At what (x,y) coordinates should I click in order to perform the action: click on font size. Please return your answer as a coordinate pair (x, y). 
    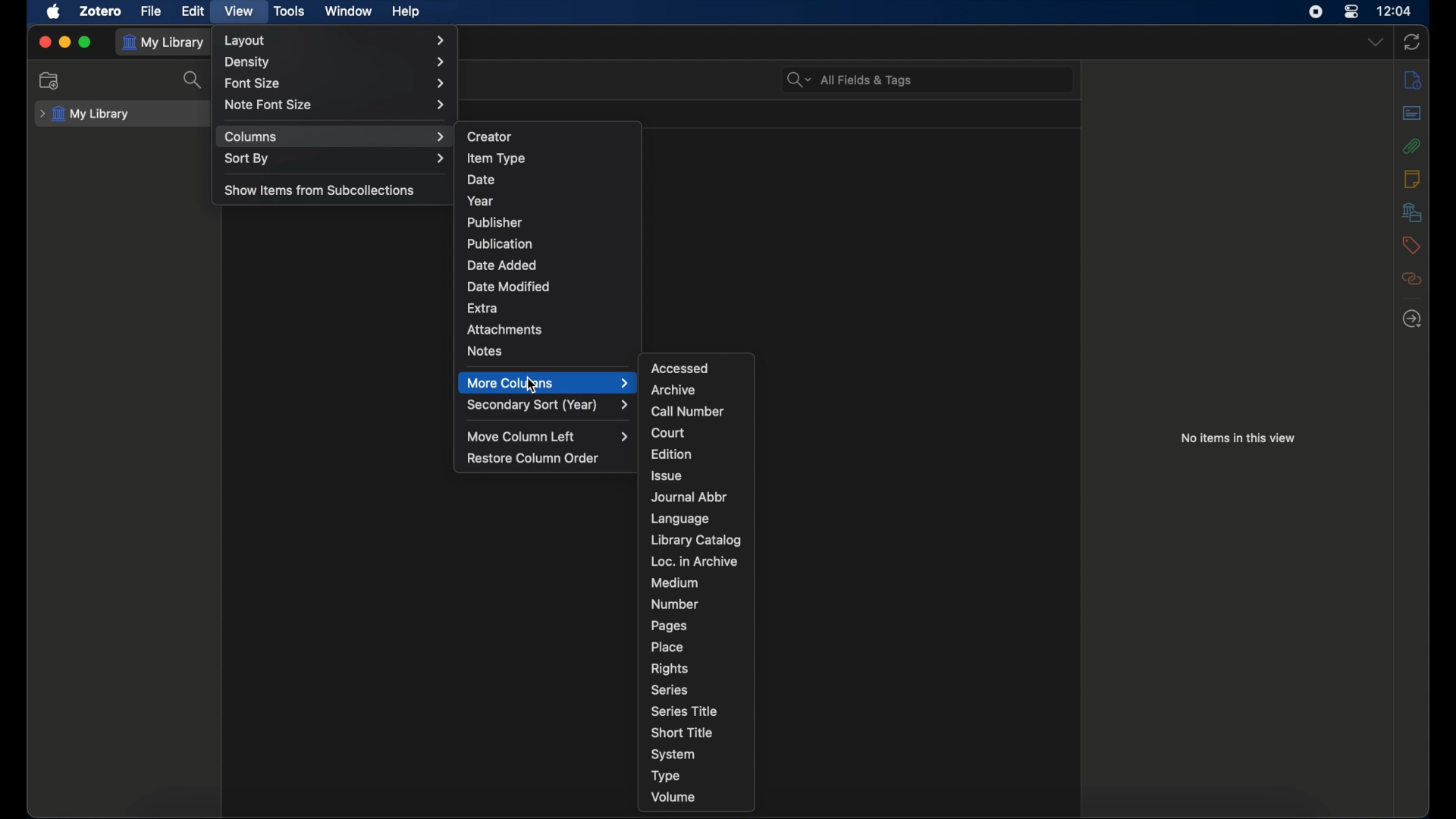
    Looking at the image, I should click on (336, 83).